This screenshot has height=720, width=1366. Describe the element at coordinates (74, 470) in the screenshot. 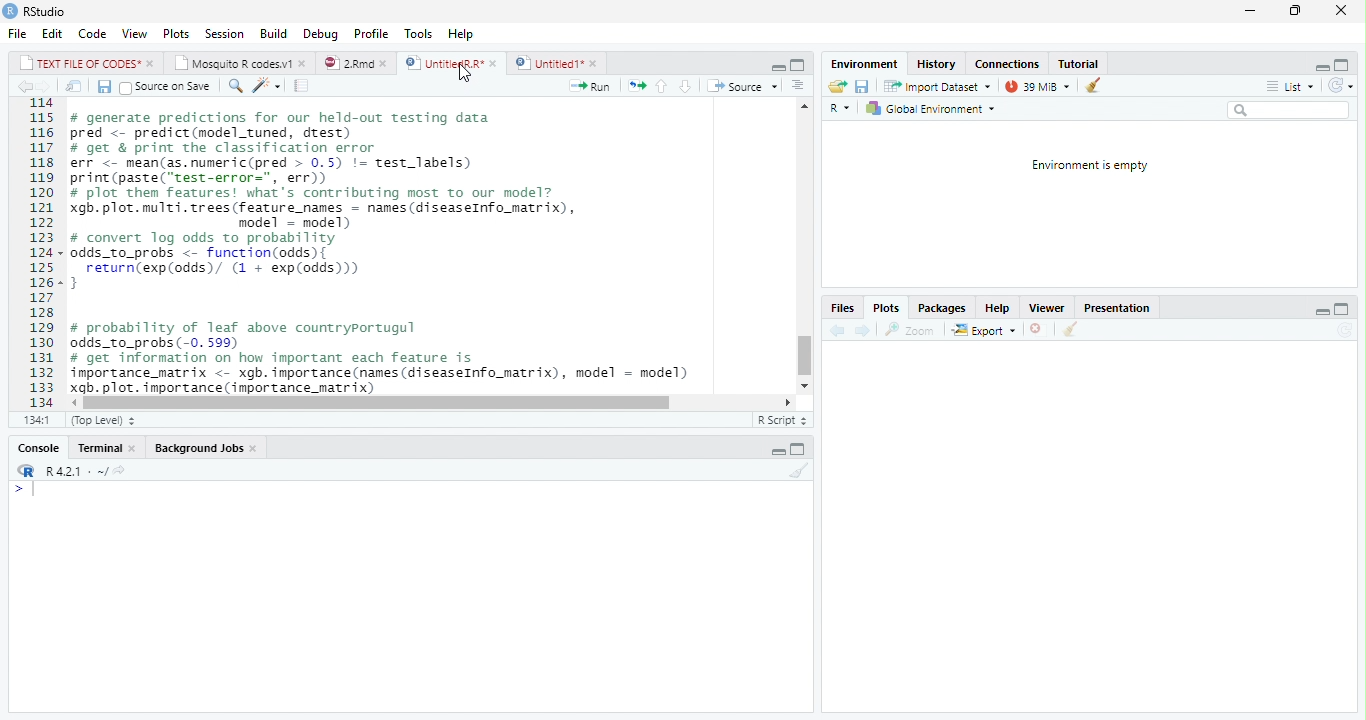

I see `R 4.2.1 .~/` at that location.